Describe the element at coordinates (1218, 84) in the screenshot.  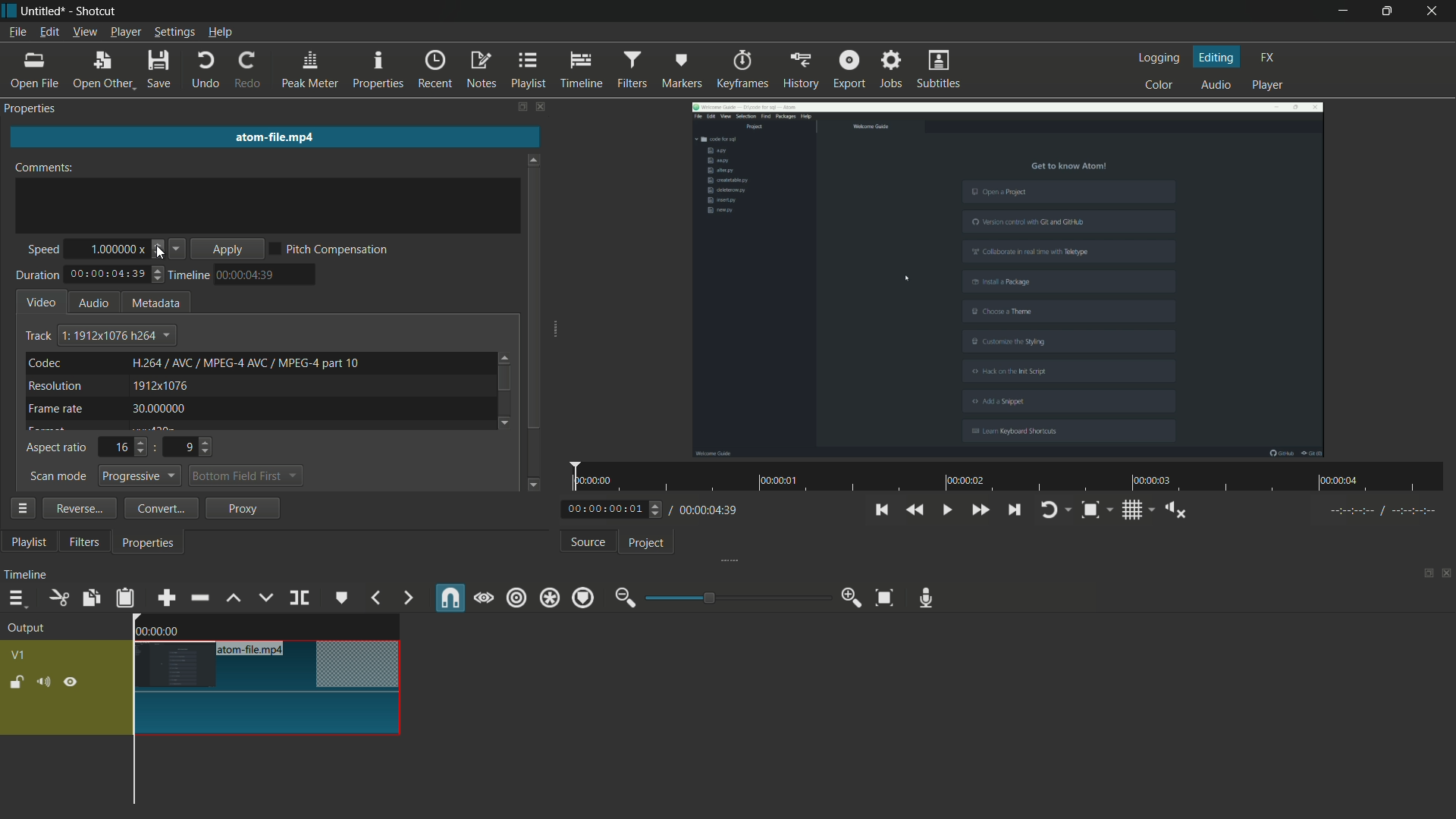
I see `audio` at that location.